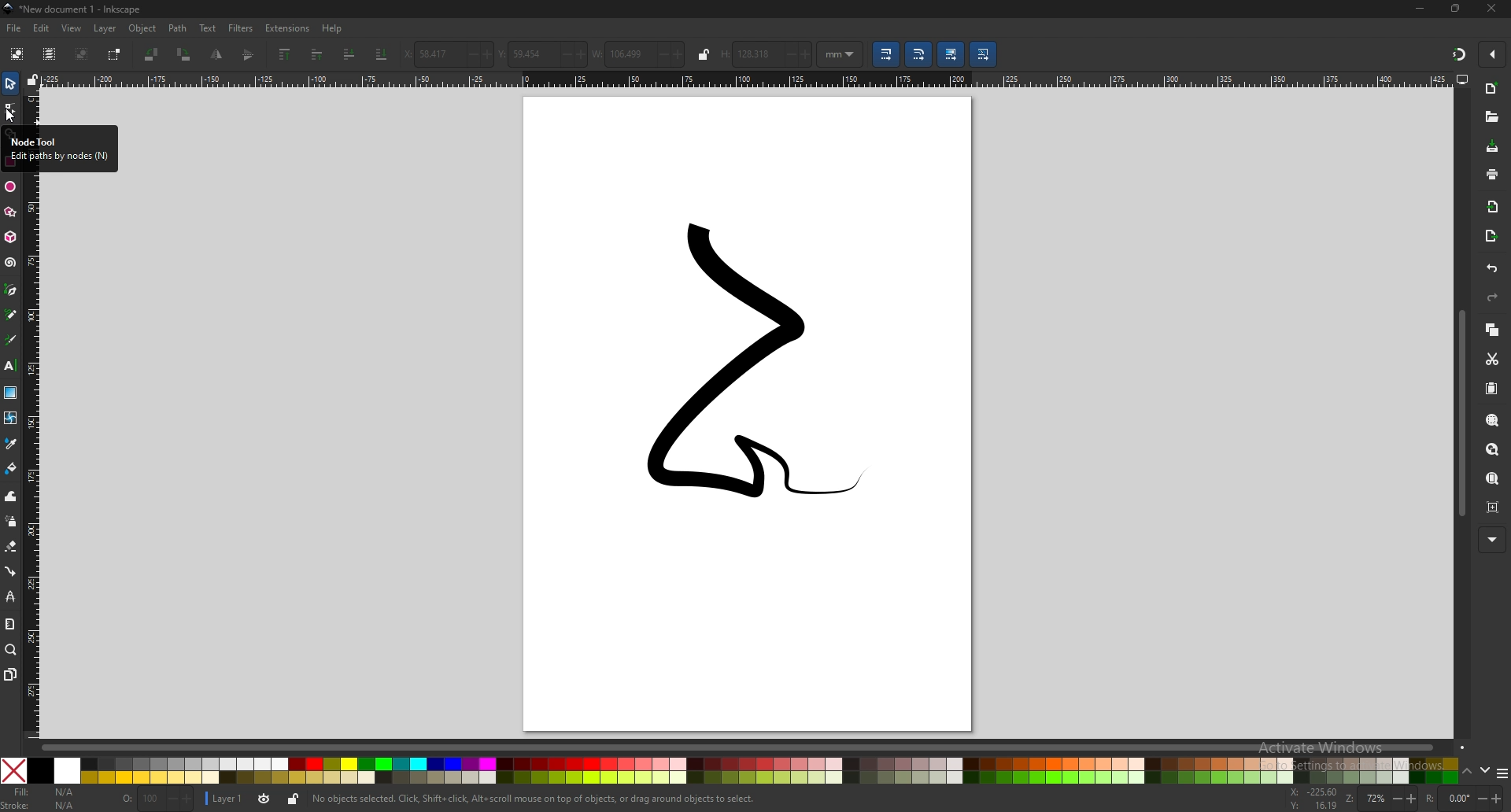 The image size is (1511, 812). I want to click on scroll bar, so click(747, 747).